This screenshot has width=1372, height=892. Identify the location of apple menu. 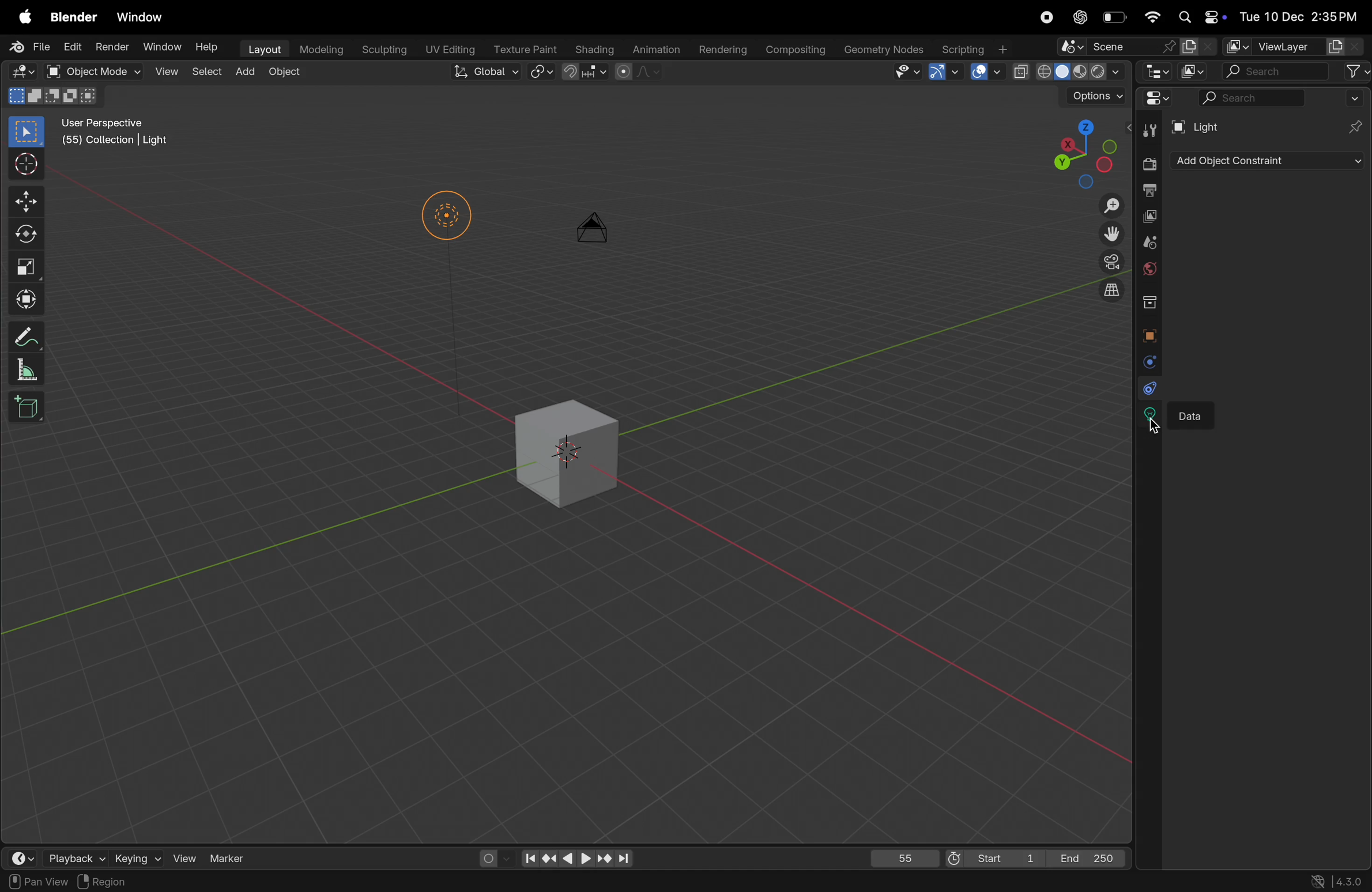
(21, 16).